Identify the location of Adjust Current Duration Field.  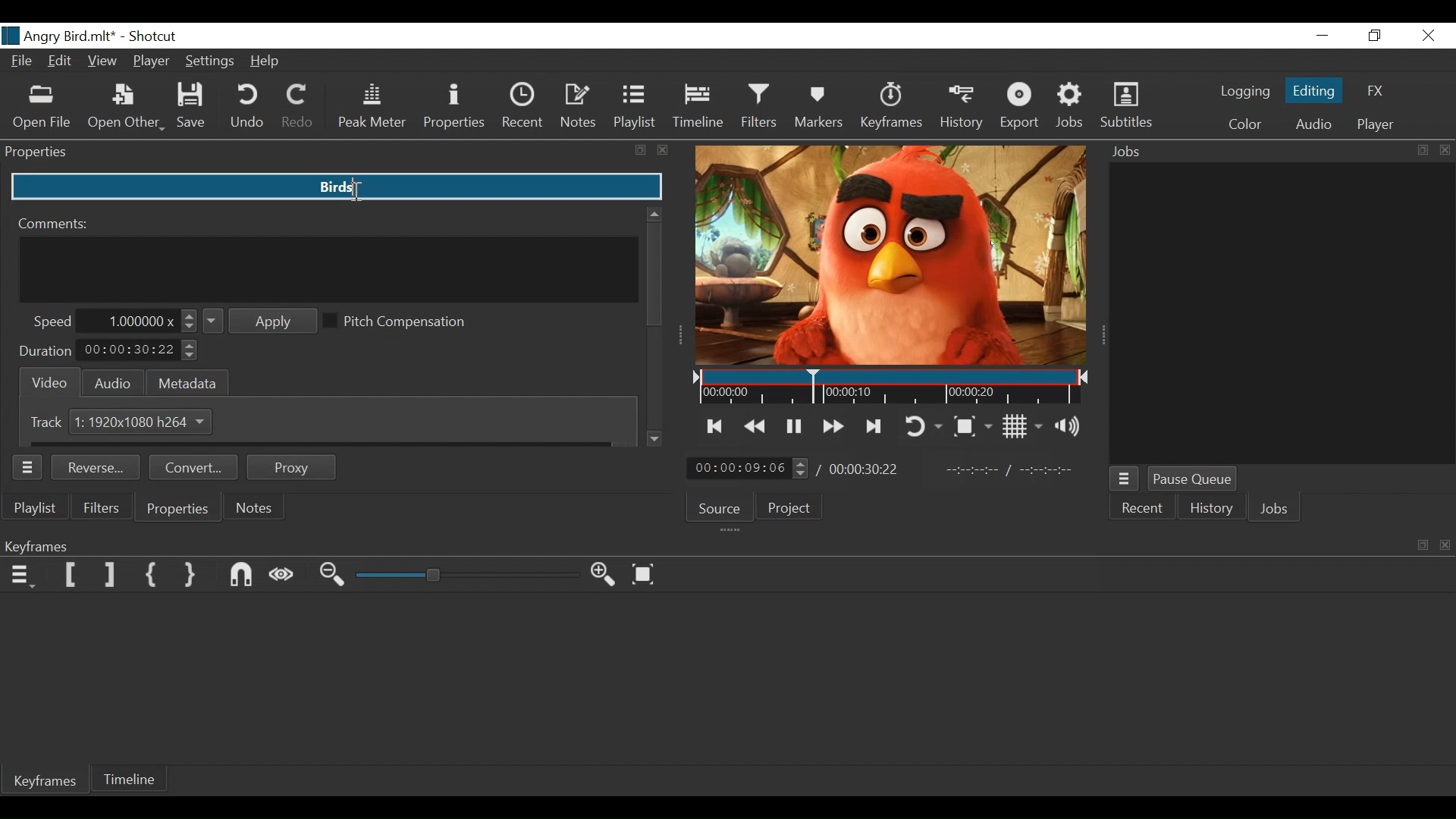
(140, 351).